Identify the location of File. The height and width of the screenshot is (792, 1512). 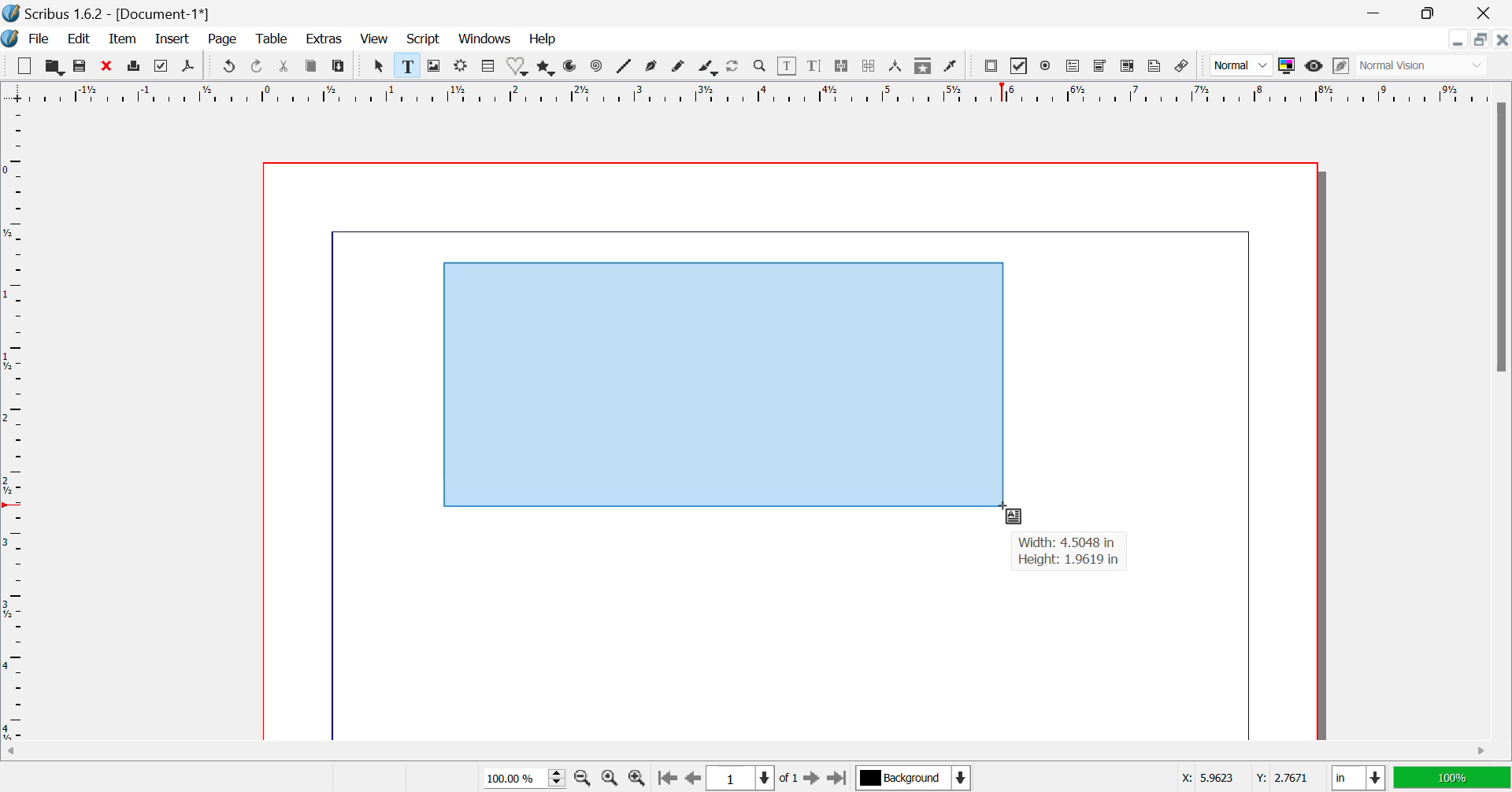
(39, 39).